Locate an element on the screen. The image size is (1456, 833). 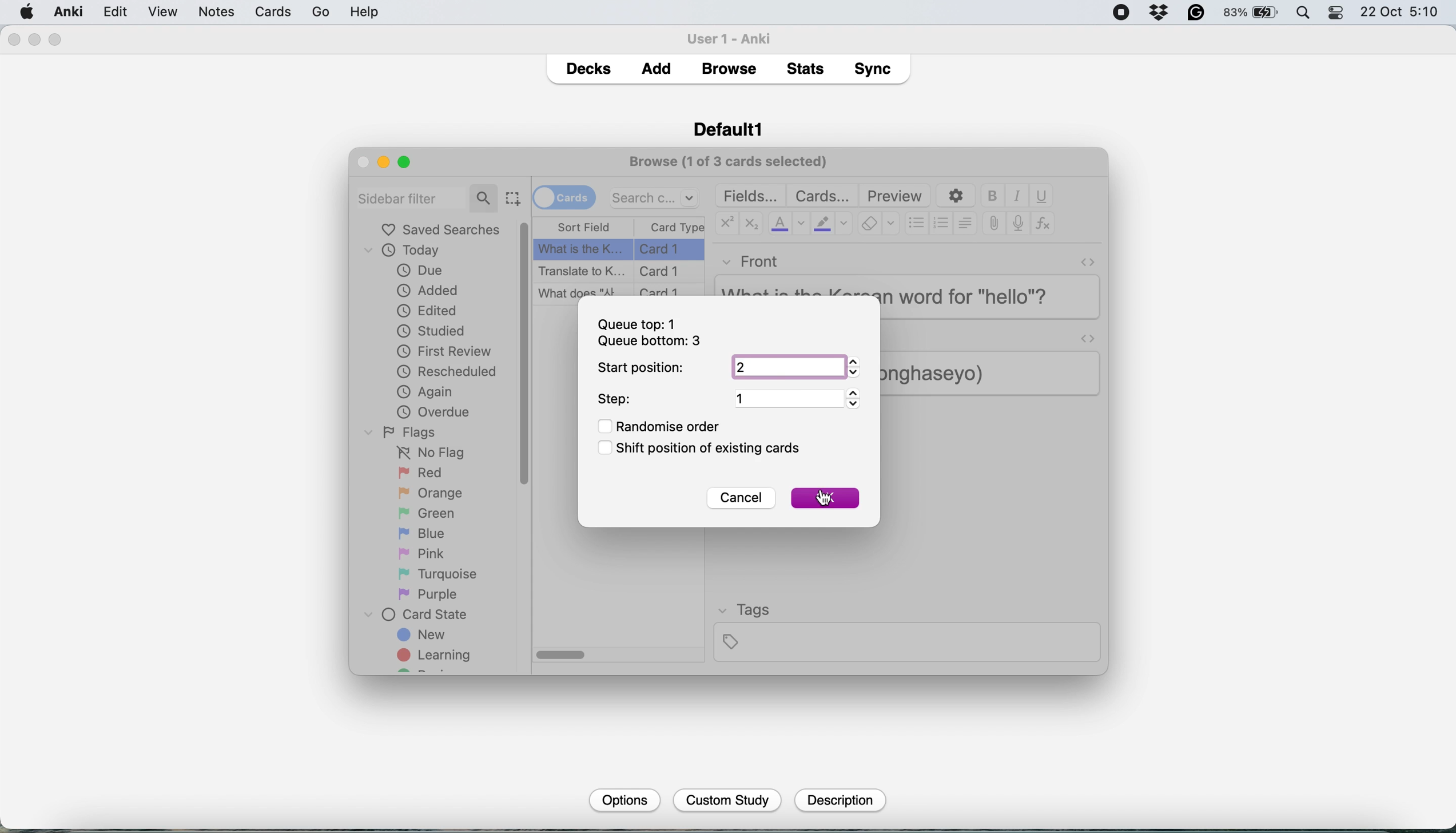
preview is located at coordinates (895, 196).